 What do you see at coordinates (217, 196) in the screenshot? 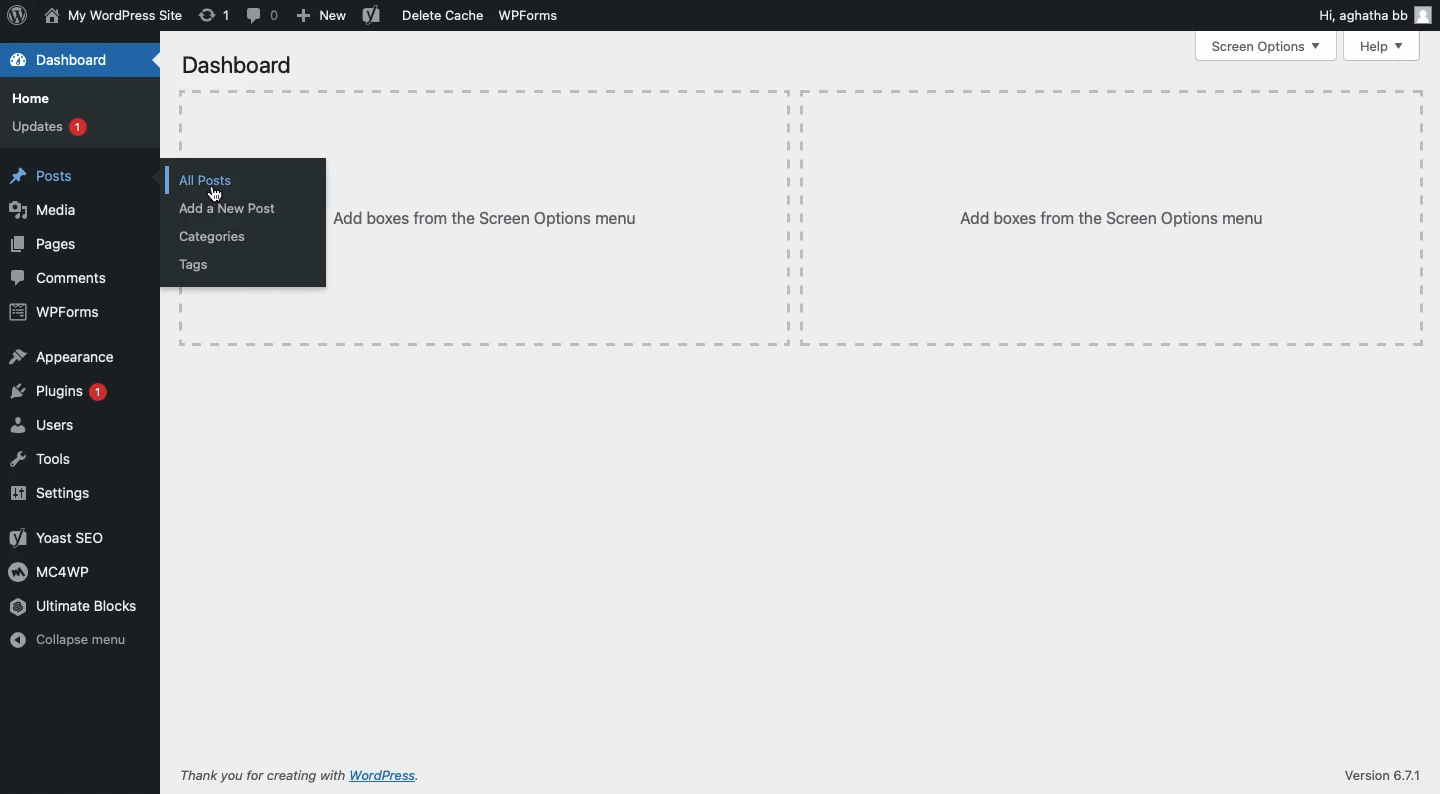
I see `cursor` at bounding box center [217, 196].